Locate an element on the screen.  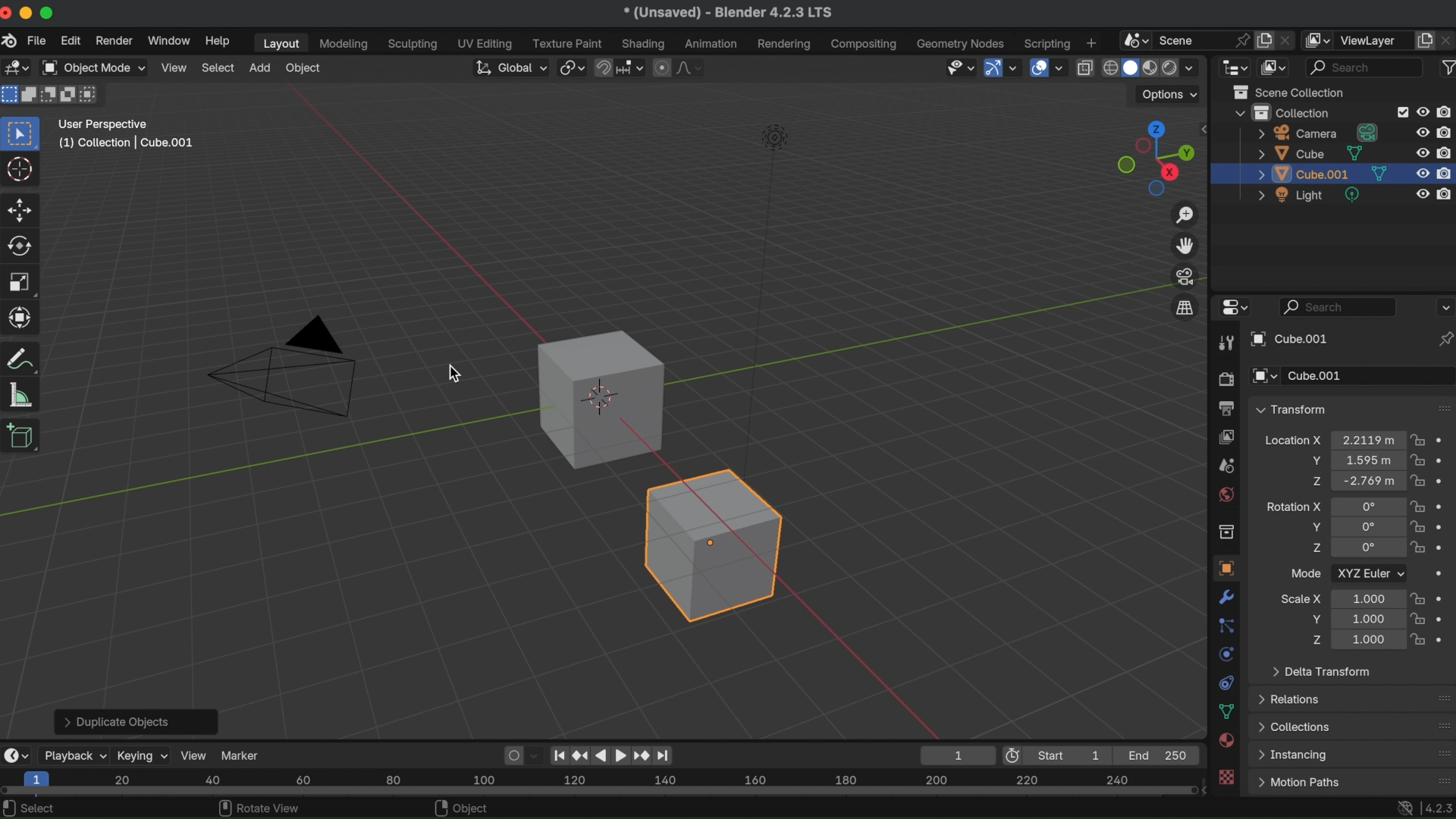
location of object is located at coordinates (1369, 440).